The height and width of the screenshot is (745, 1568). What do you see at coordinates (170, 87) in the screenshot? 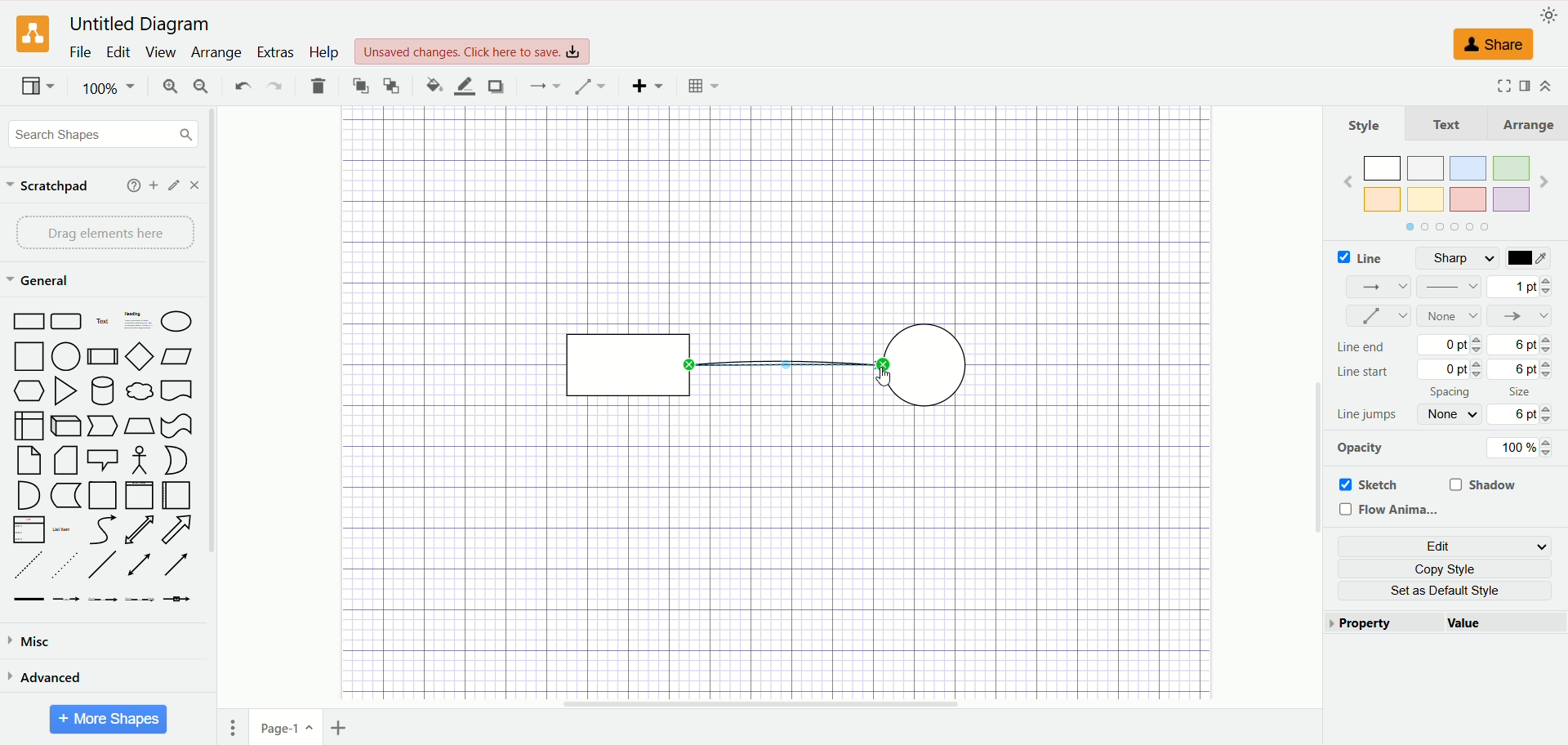
I see `zoom in` at bounding box center [170, 87].